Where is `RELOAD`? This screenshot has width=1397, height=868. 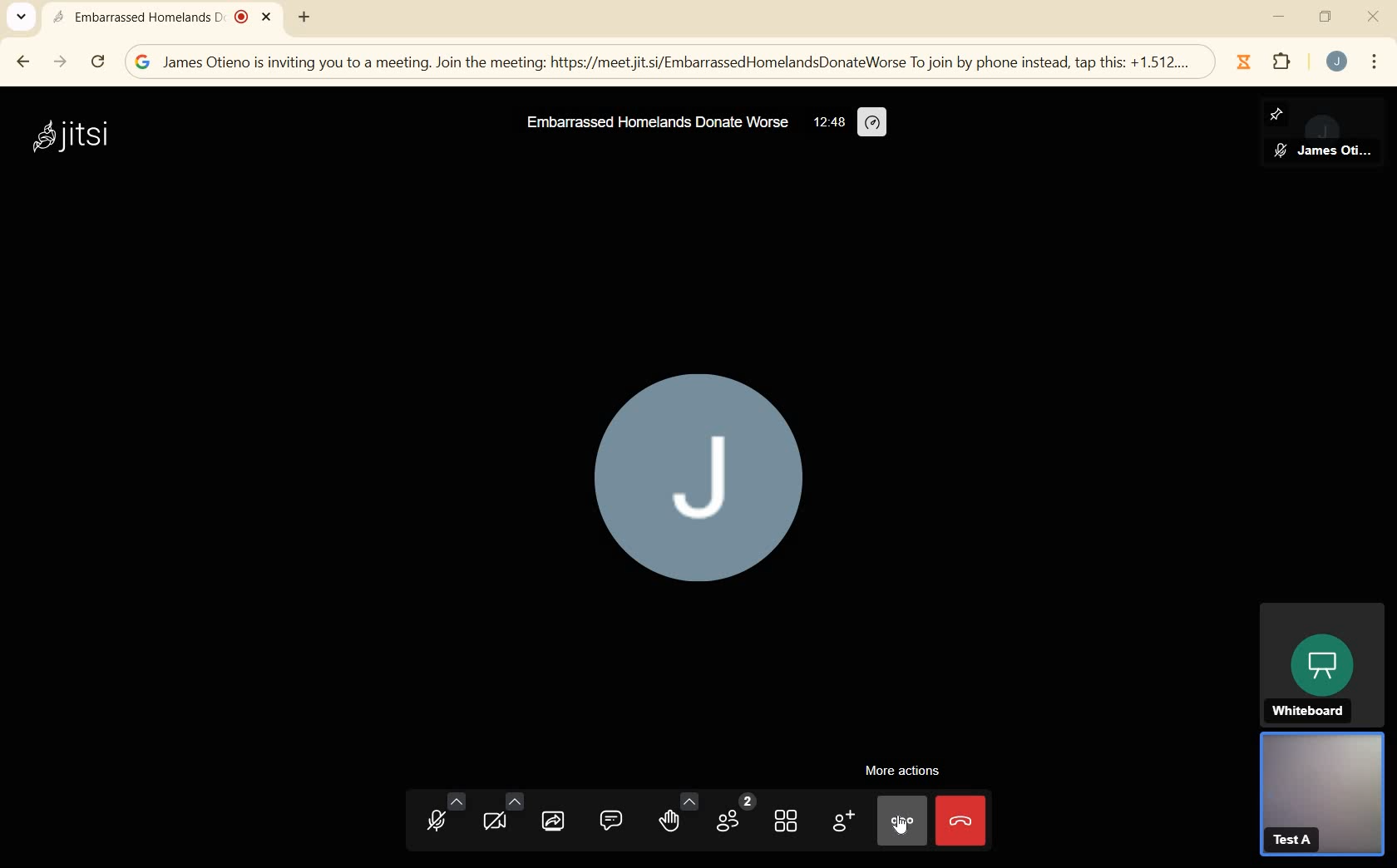
RELOAD is located at coordinates (97, 62).